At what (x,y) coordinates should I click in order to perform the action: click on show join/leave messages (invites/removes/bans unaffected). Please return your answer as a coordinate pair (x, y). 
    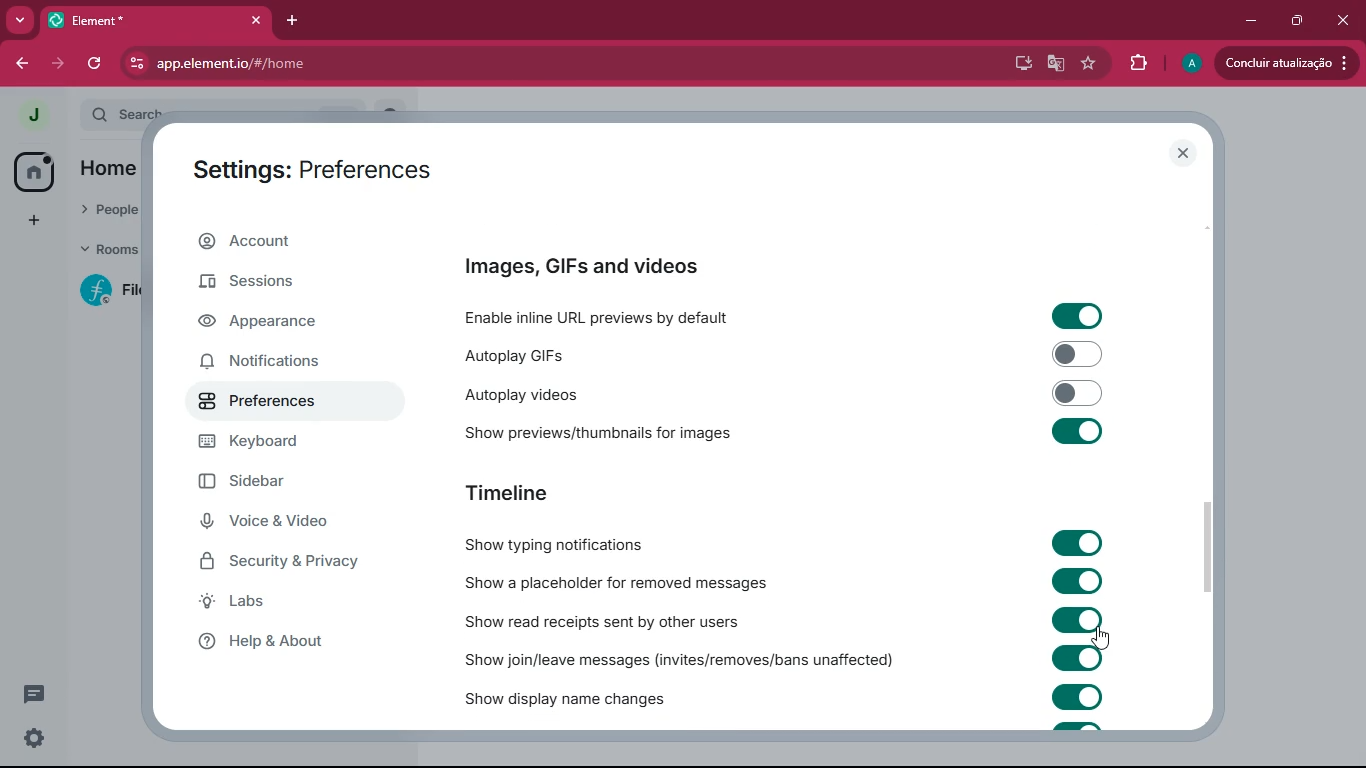
    Looking at the image, I should click on (681, 658).